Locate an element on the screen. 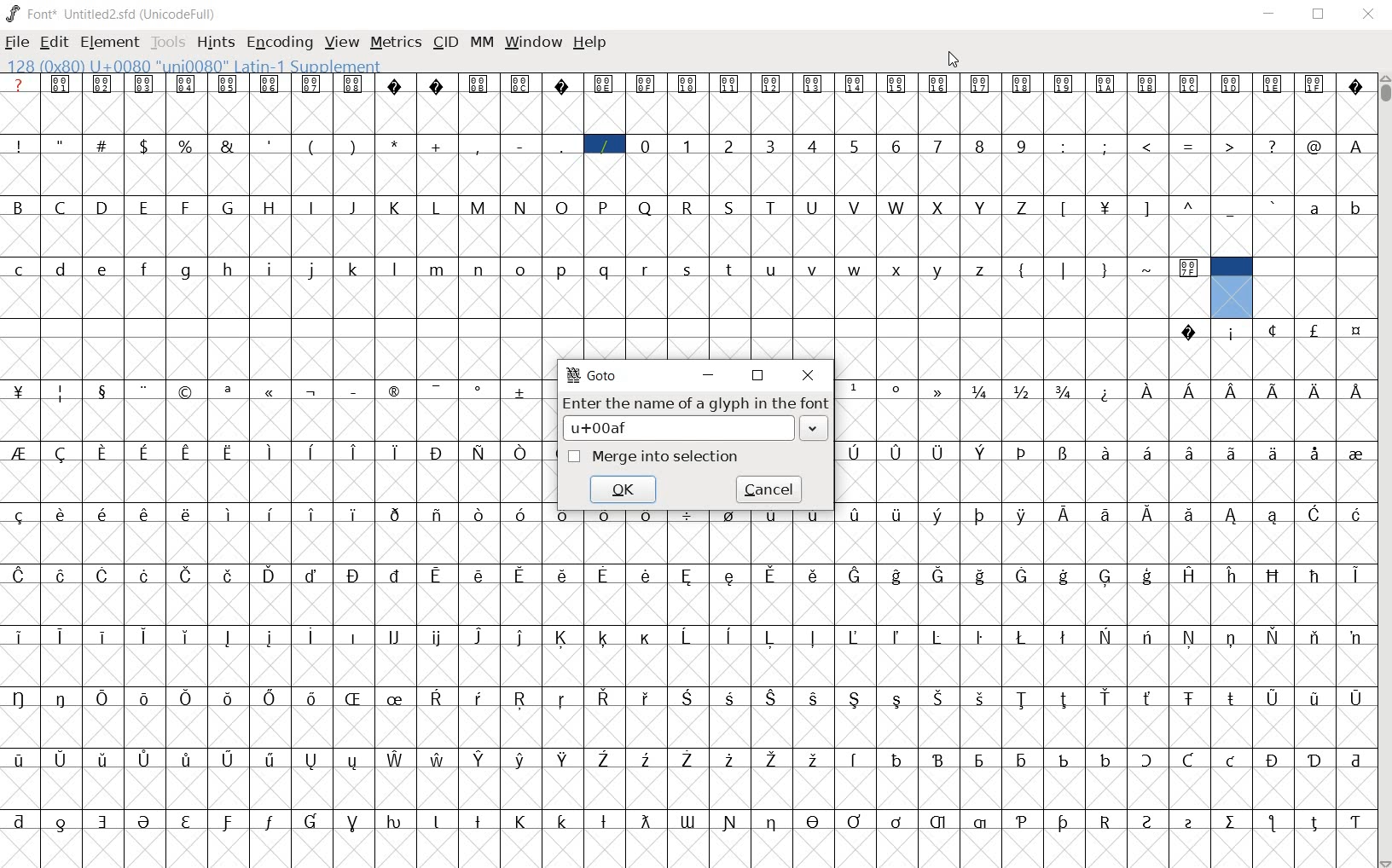 Image resolution: width=1392 pixels, height=868 pixels. Symbol is located at coordinates (438, 575).